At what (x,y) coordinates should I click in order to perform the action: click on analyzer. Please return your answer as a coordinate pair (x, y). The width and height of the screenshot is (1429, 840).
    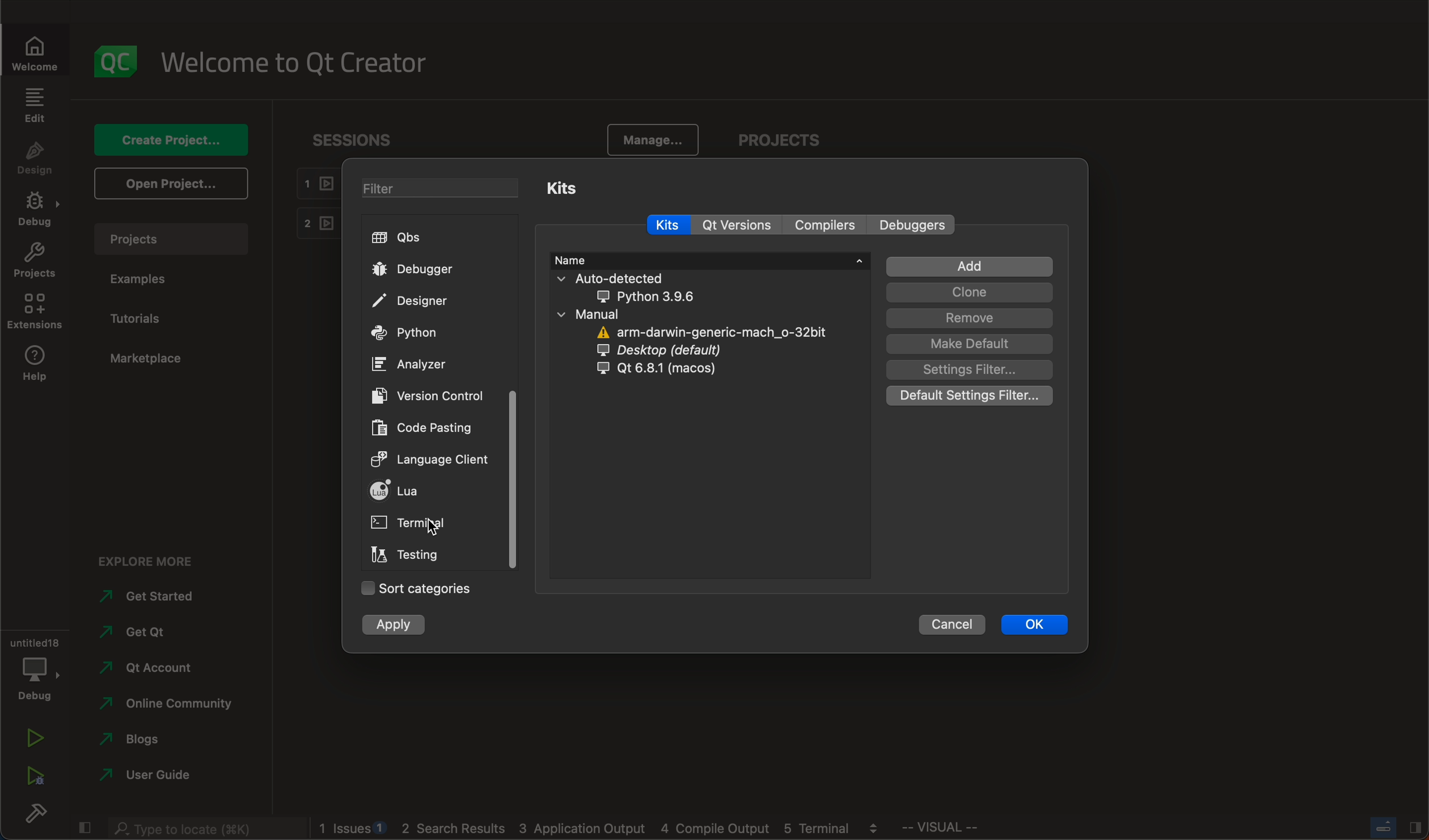
    Looking at the image, I should click on (412, 366).